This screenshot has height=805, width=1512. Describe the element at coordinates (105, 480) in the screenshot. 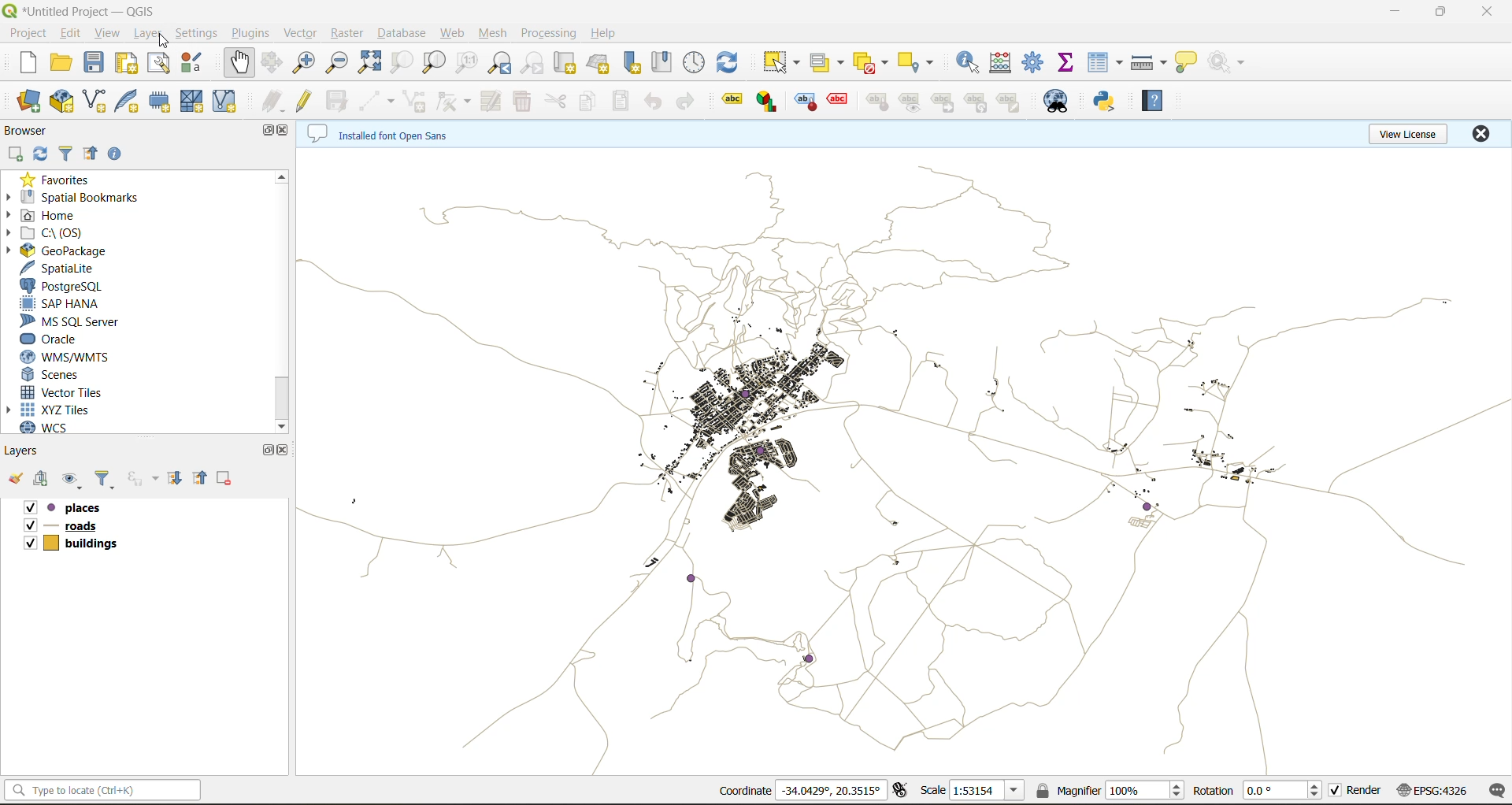

I see `filter` at that location.